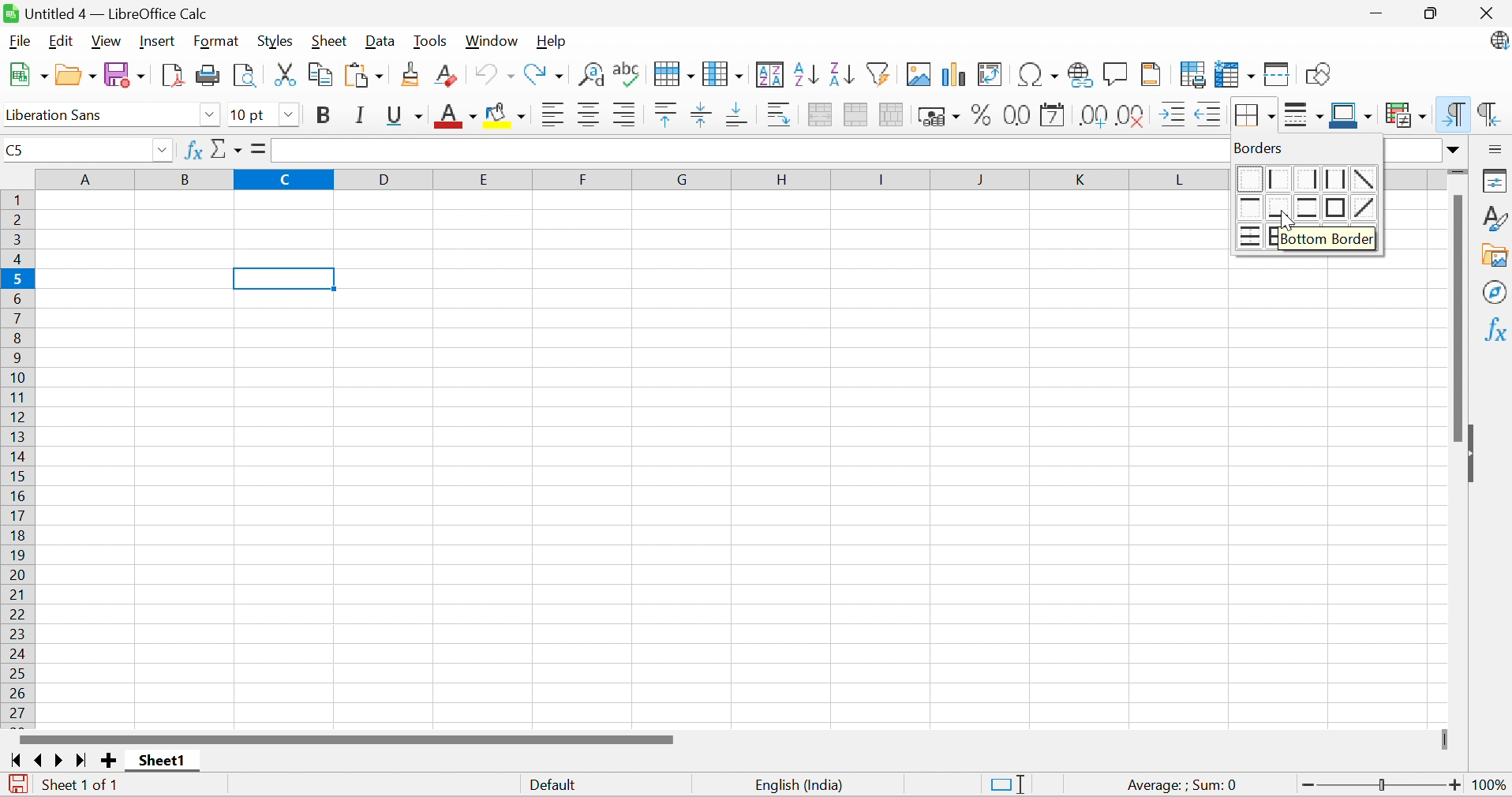 The height and width of the screenshot is (797, 1512). I want to click on Insert or edit pivot table, so click(991, 75).